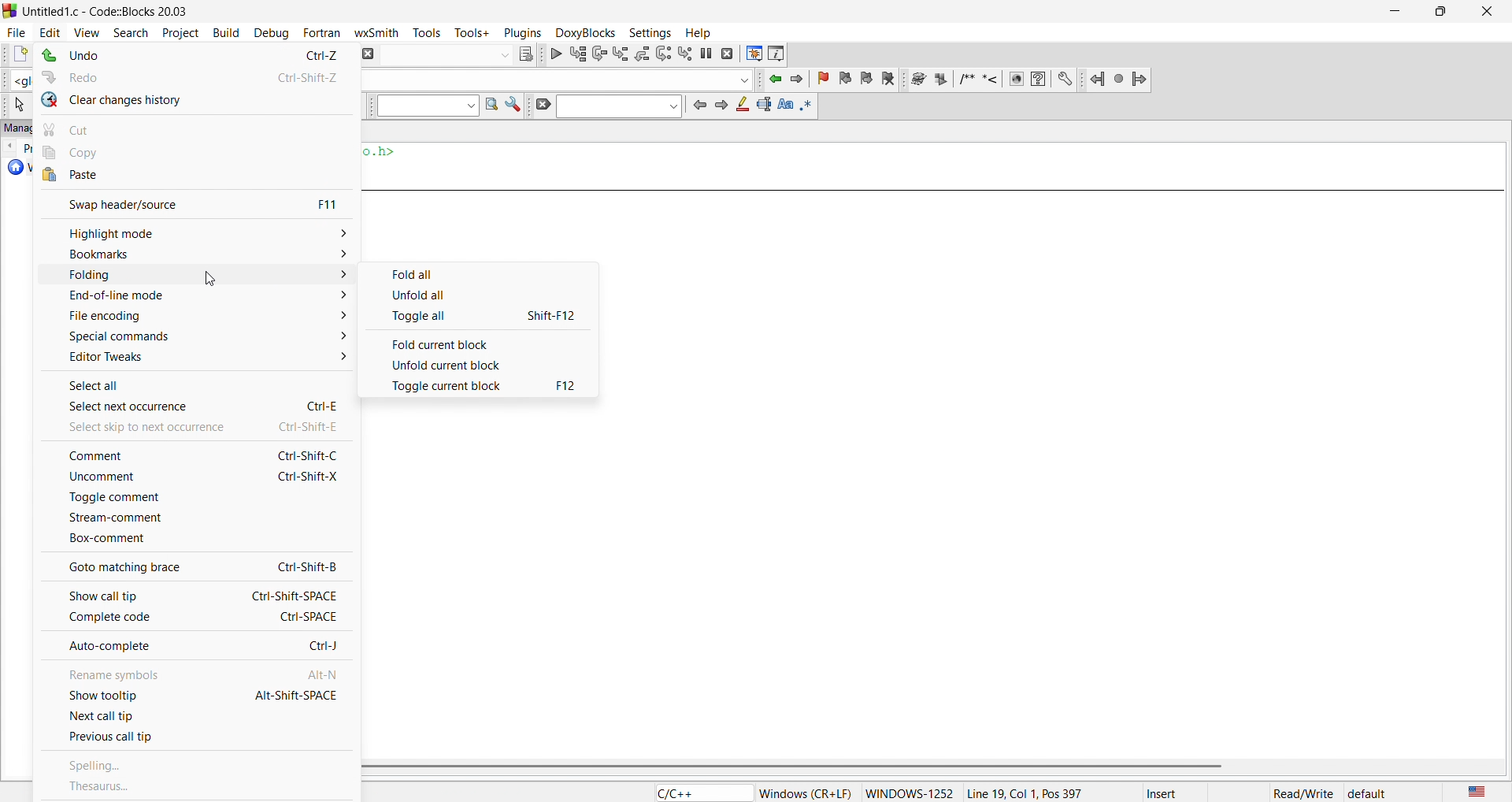 The image size is (1512, 802). Describe the element at coordinates (195, 647) in the screenshot. I see `auto complete` at that location.